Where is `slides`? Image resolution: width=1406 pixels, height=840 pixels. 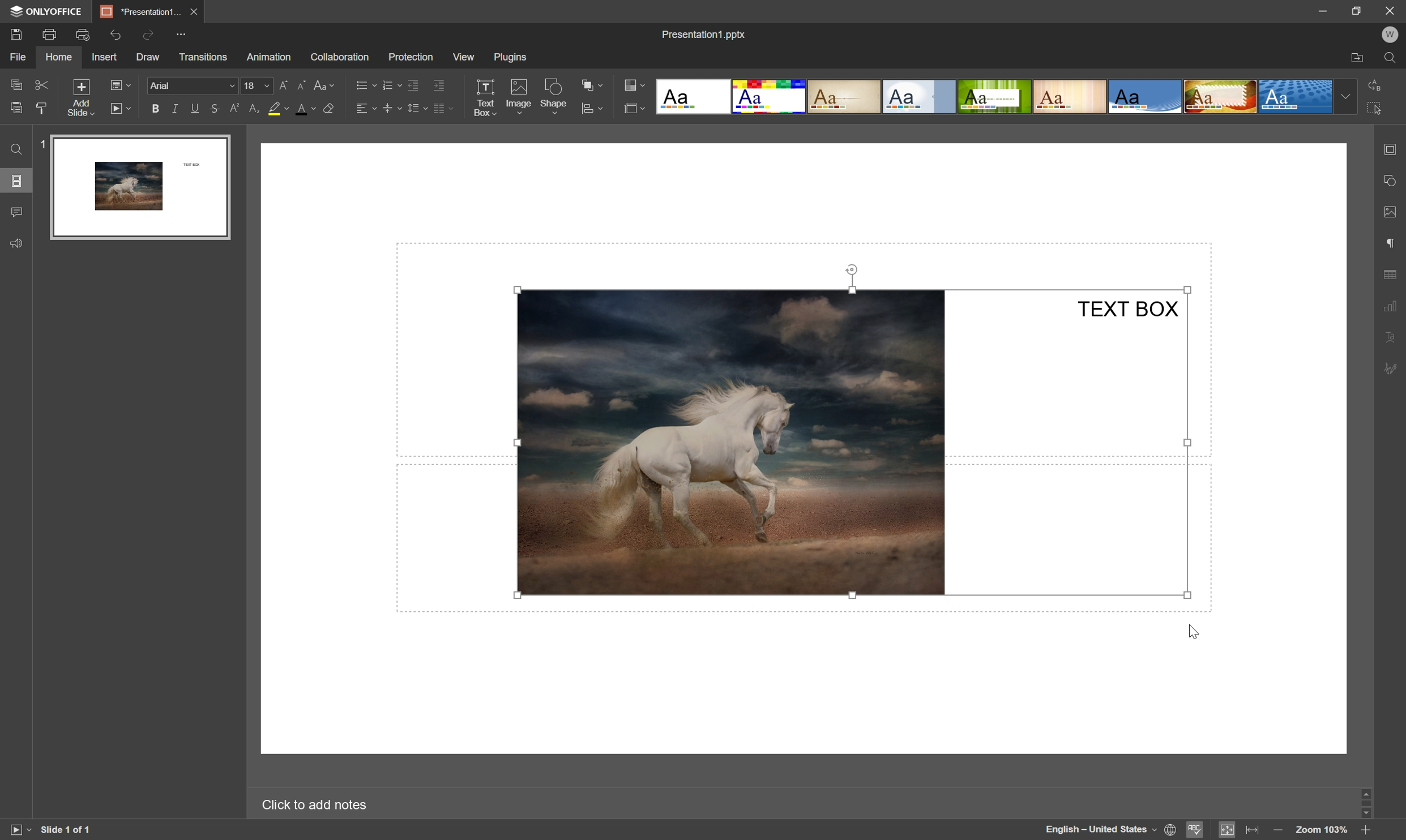 slides is located at coordinates (18, 182).